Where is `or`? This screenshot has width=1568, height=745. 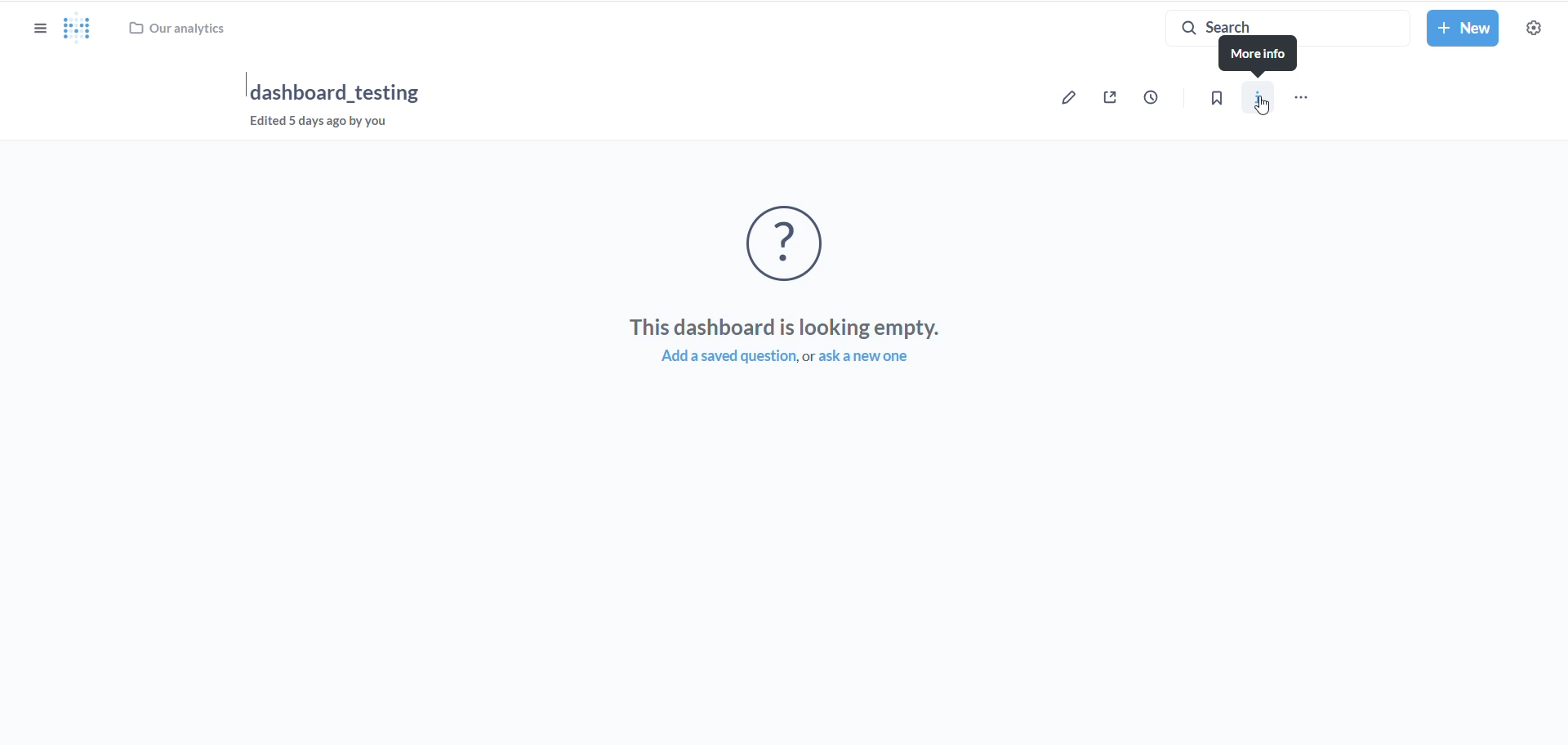 or is located at coordinates (808, 358).